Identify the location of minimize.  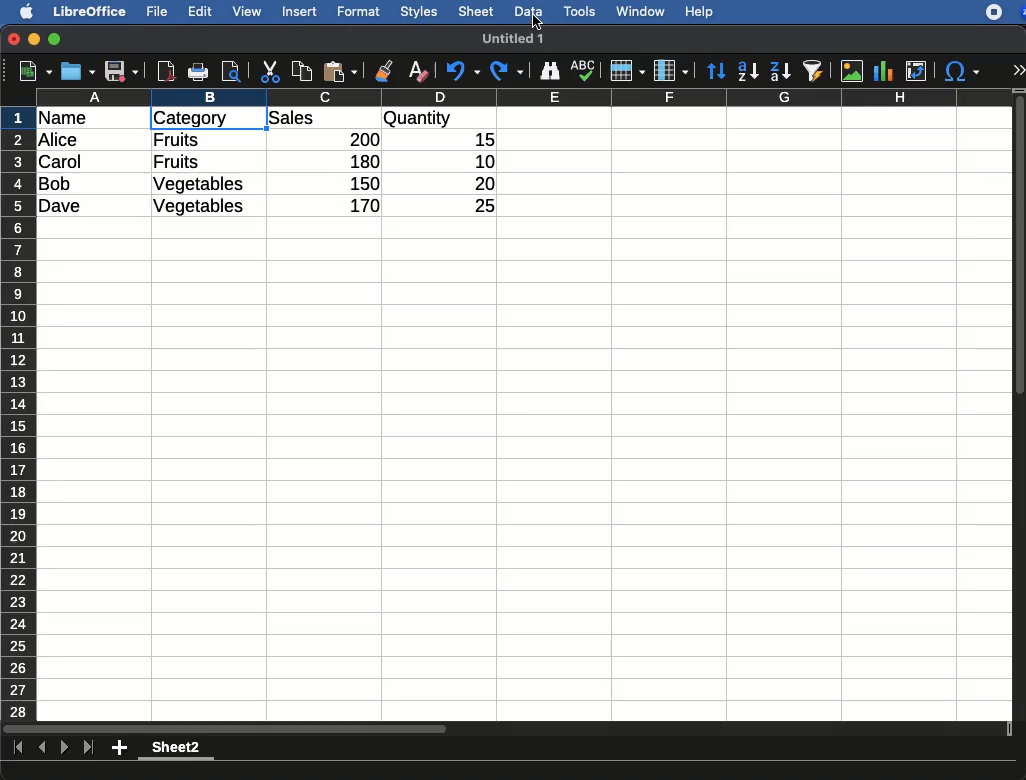
(35, 39).